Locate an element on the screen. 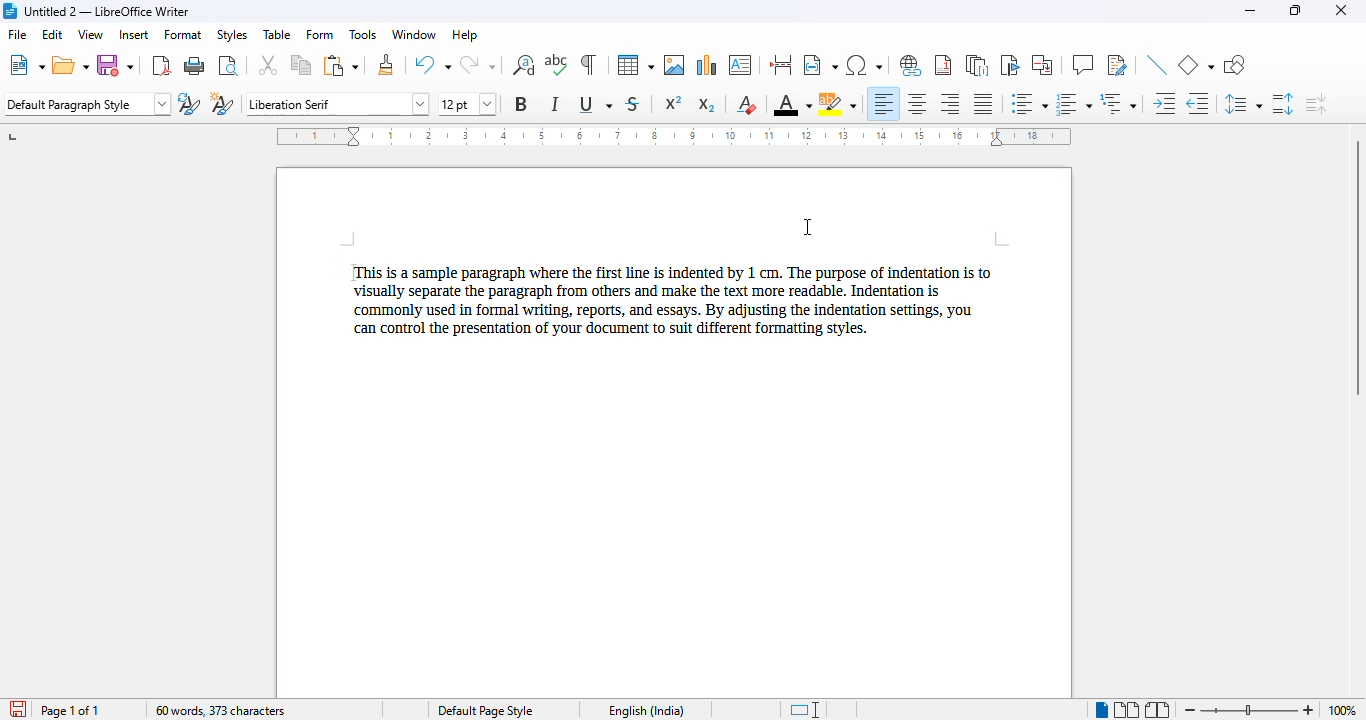  character highlighting color is located at coordinates (838, 104).